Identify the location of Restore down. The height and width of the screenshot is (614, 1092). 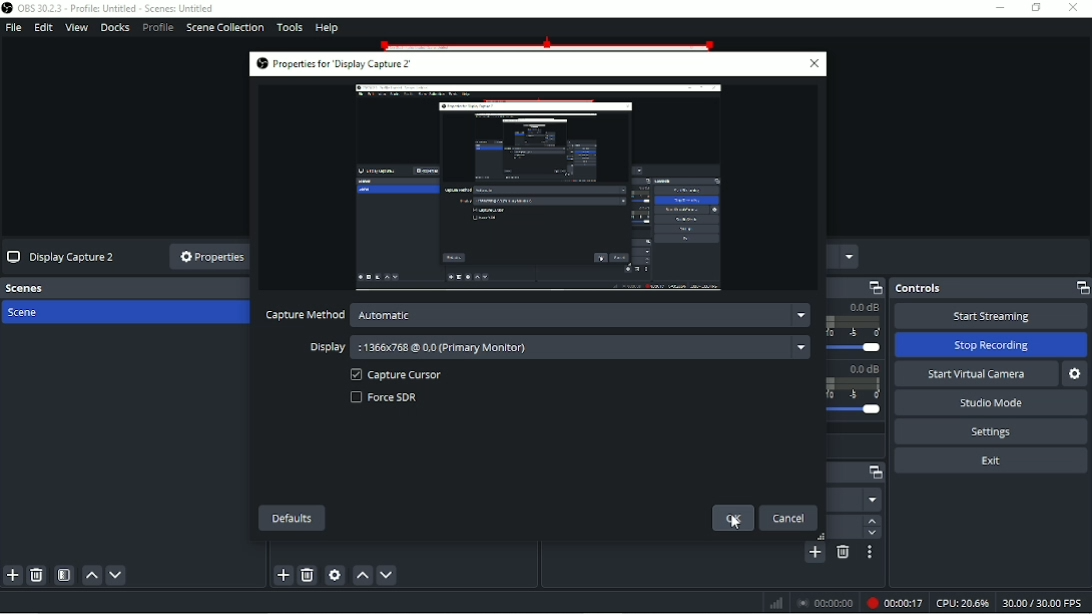
(1036, 8).